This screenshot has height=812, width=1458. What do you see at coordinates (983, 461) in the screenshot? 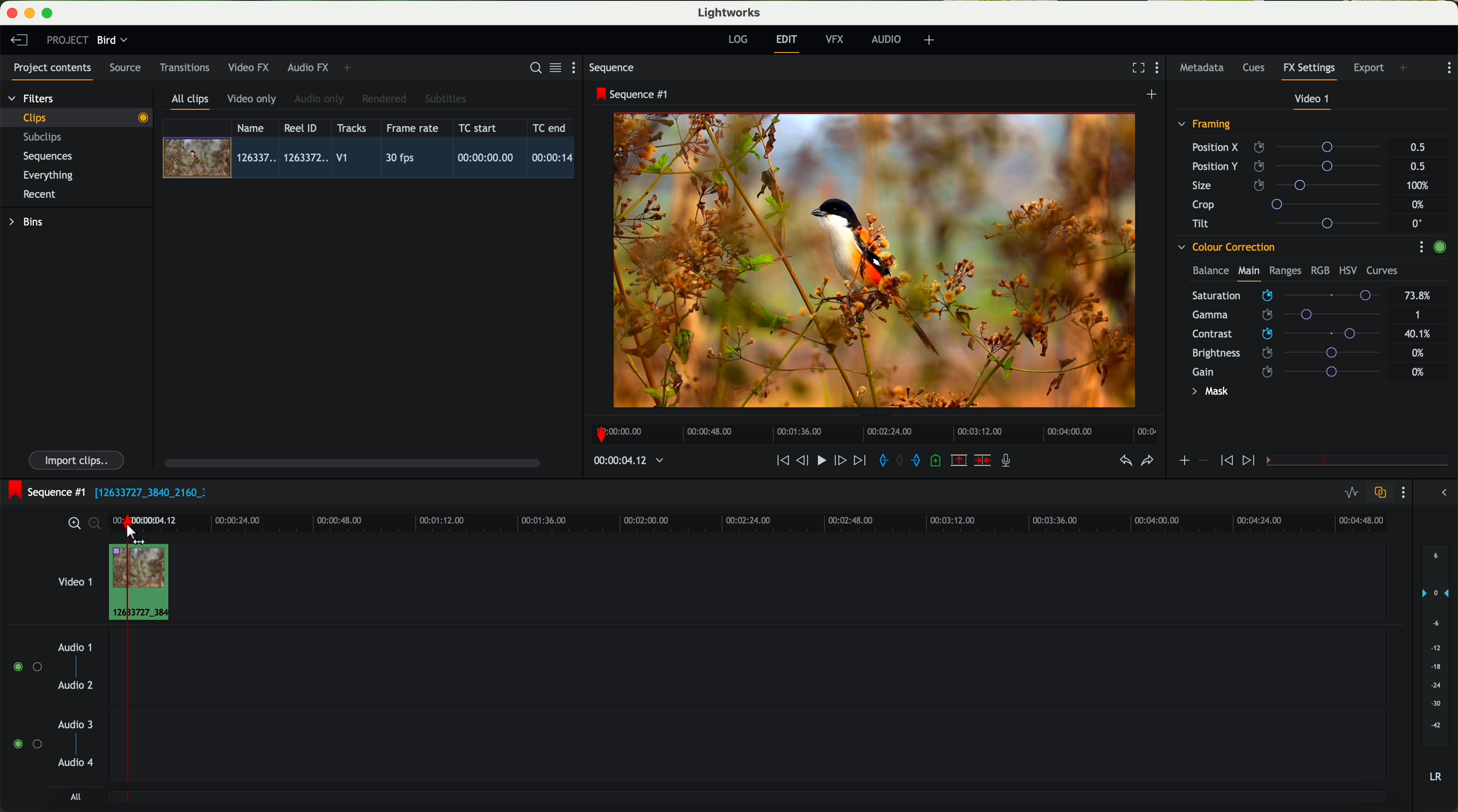
I see `delete/cut` at bounding box center [983, 461].